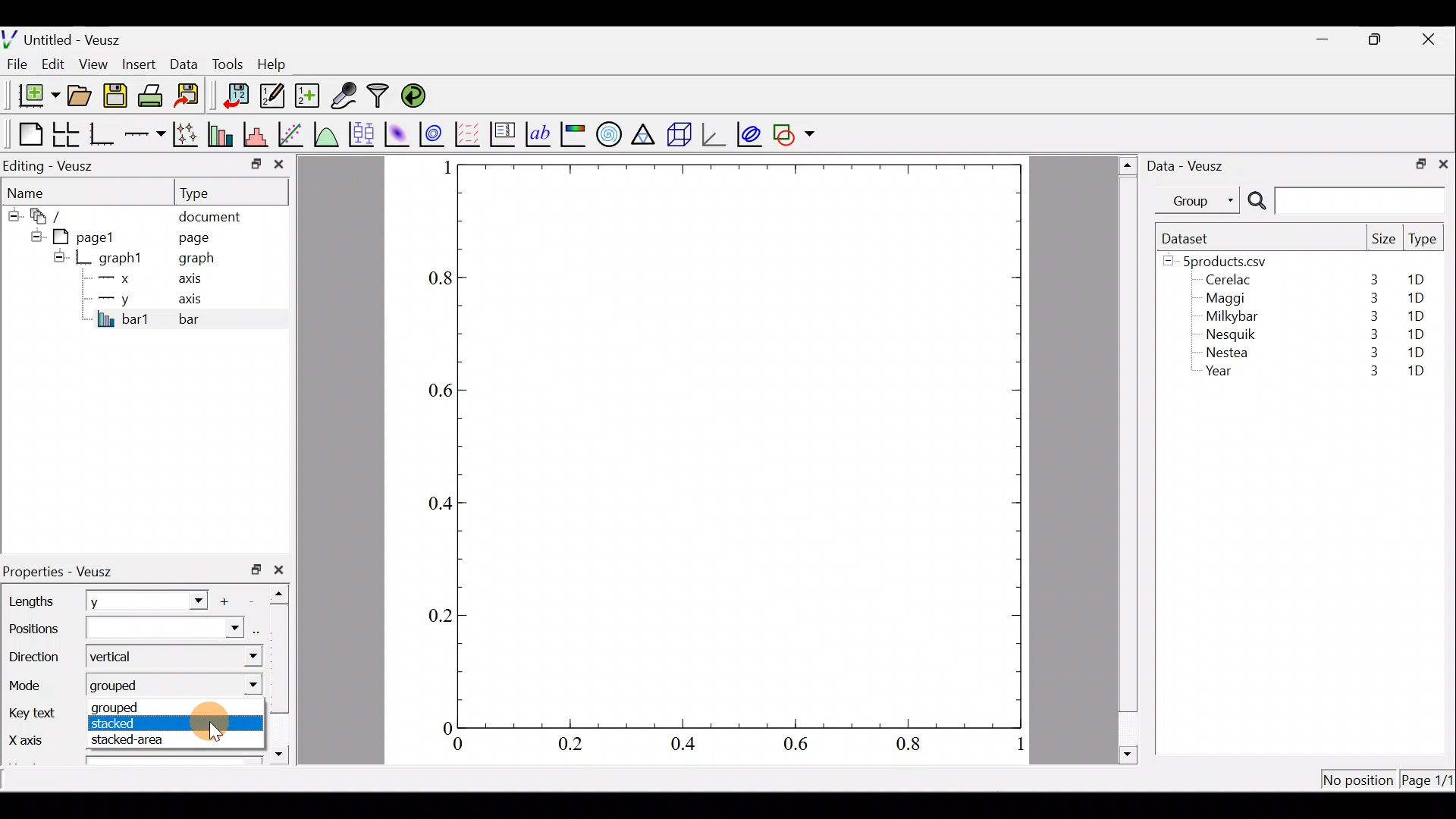  Describe the element at coordinates (1228, 353) in the screenshot. I see `Nestea` at that location.